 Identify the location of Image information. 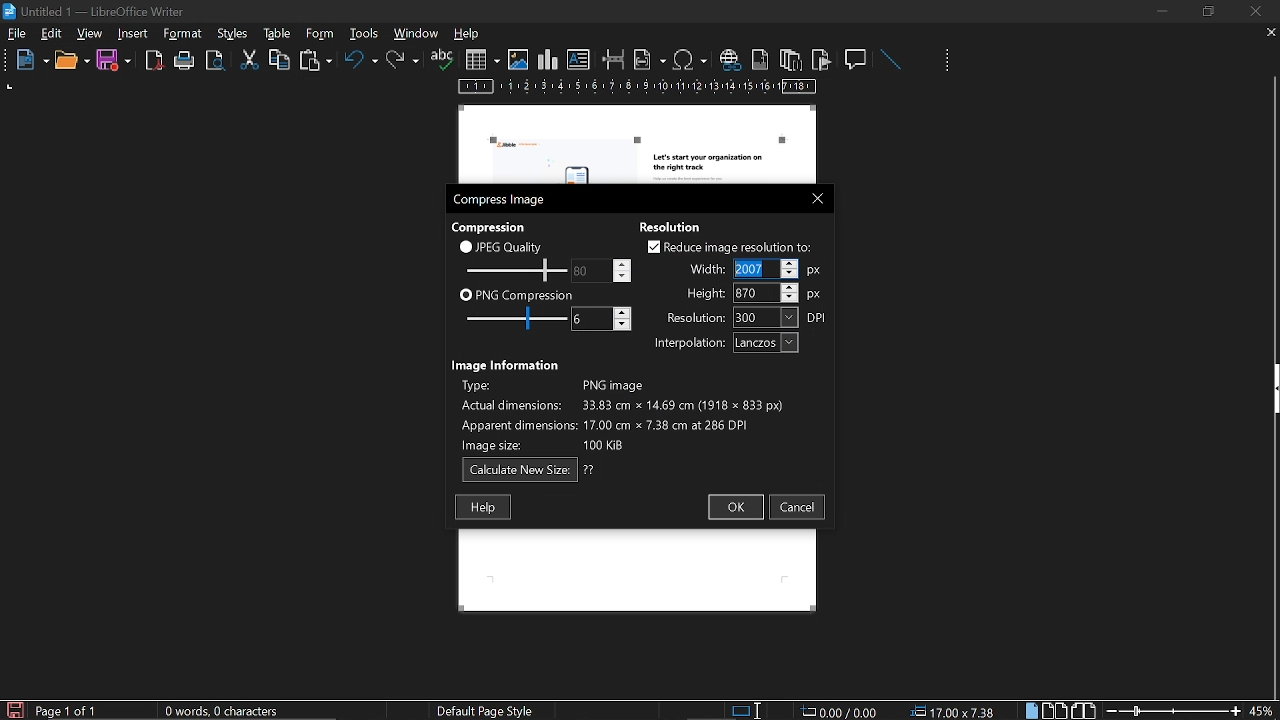
(508, 363).